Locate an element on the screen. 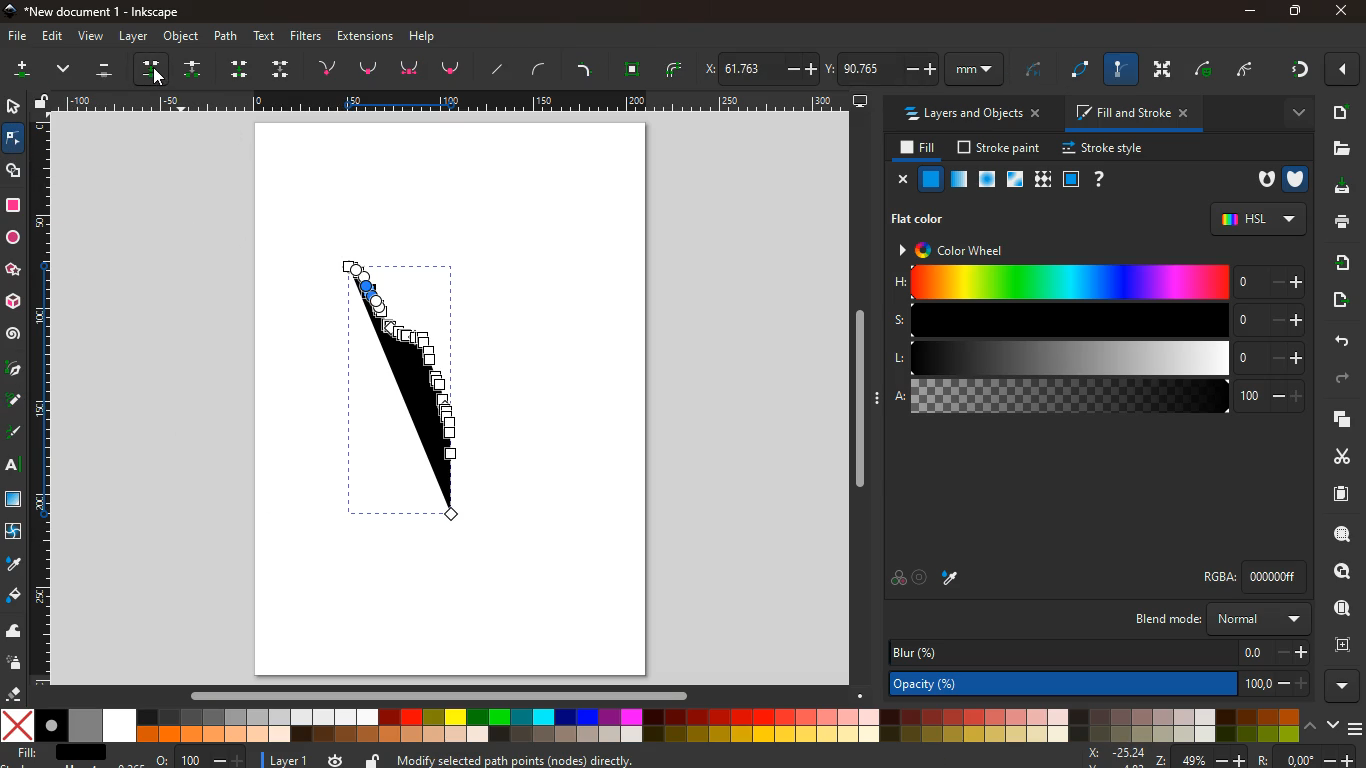 This screenshot has width=1366, height=768. color is located at coordinates (651, 725).